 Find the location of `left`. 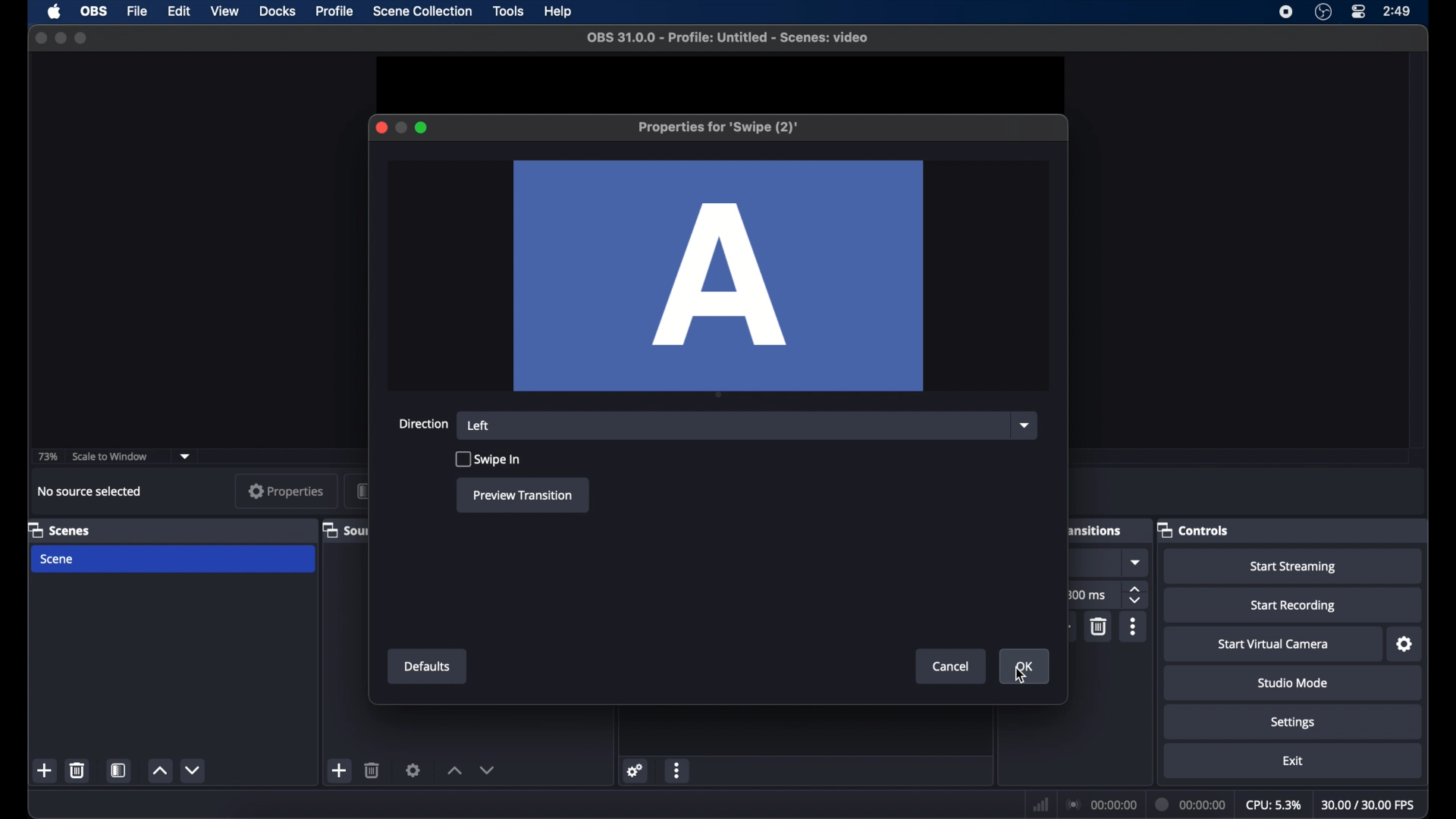

left is located at coordinates (478, 427).